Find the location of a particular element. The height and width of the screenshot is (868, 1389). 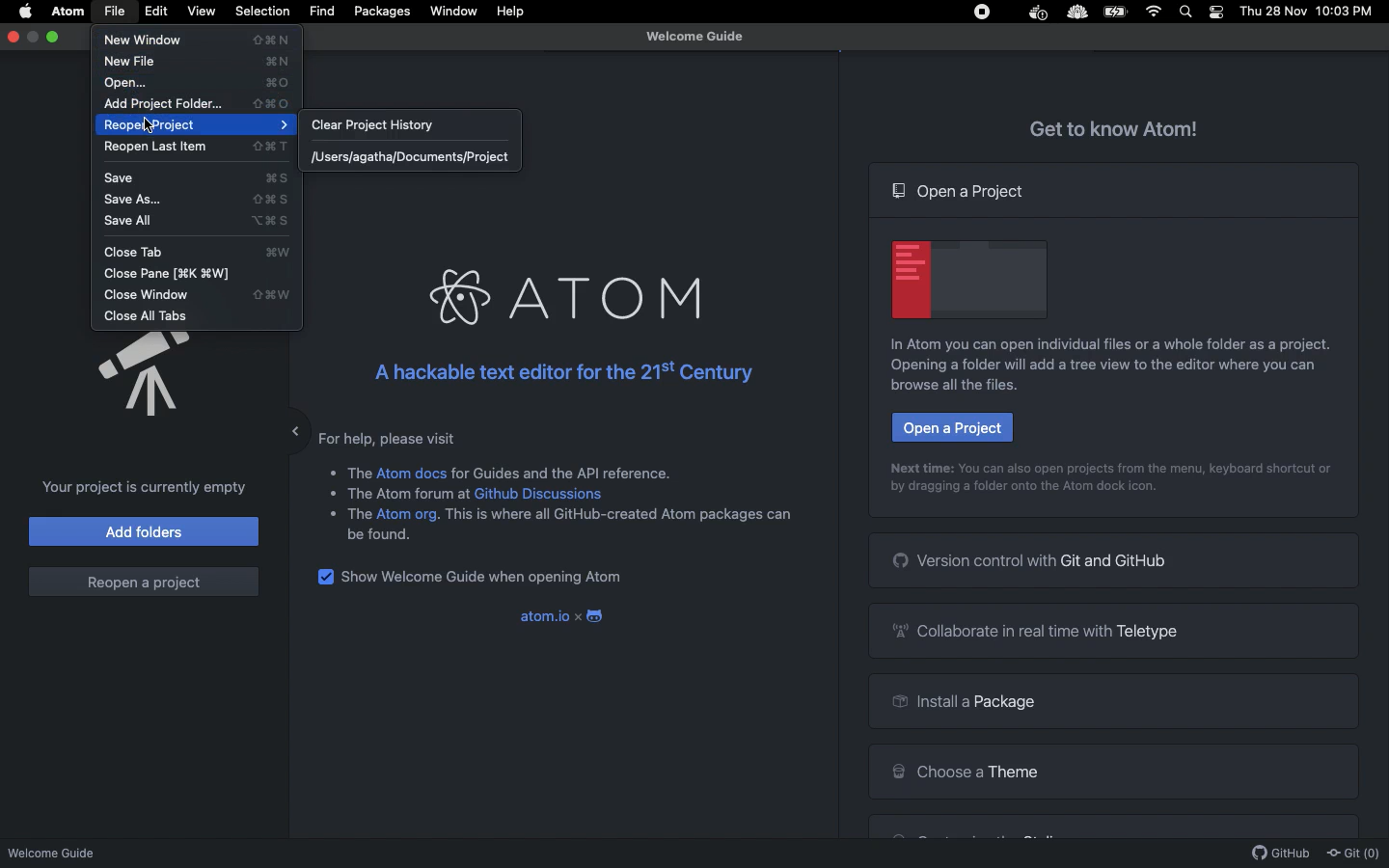

New file is located at coordinates (202, 61).